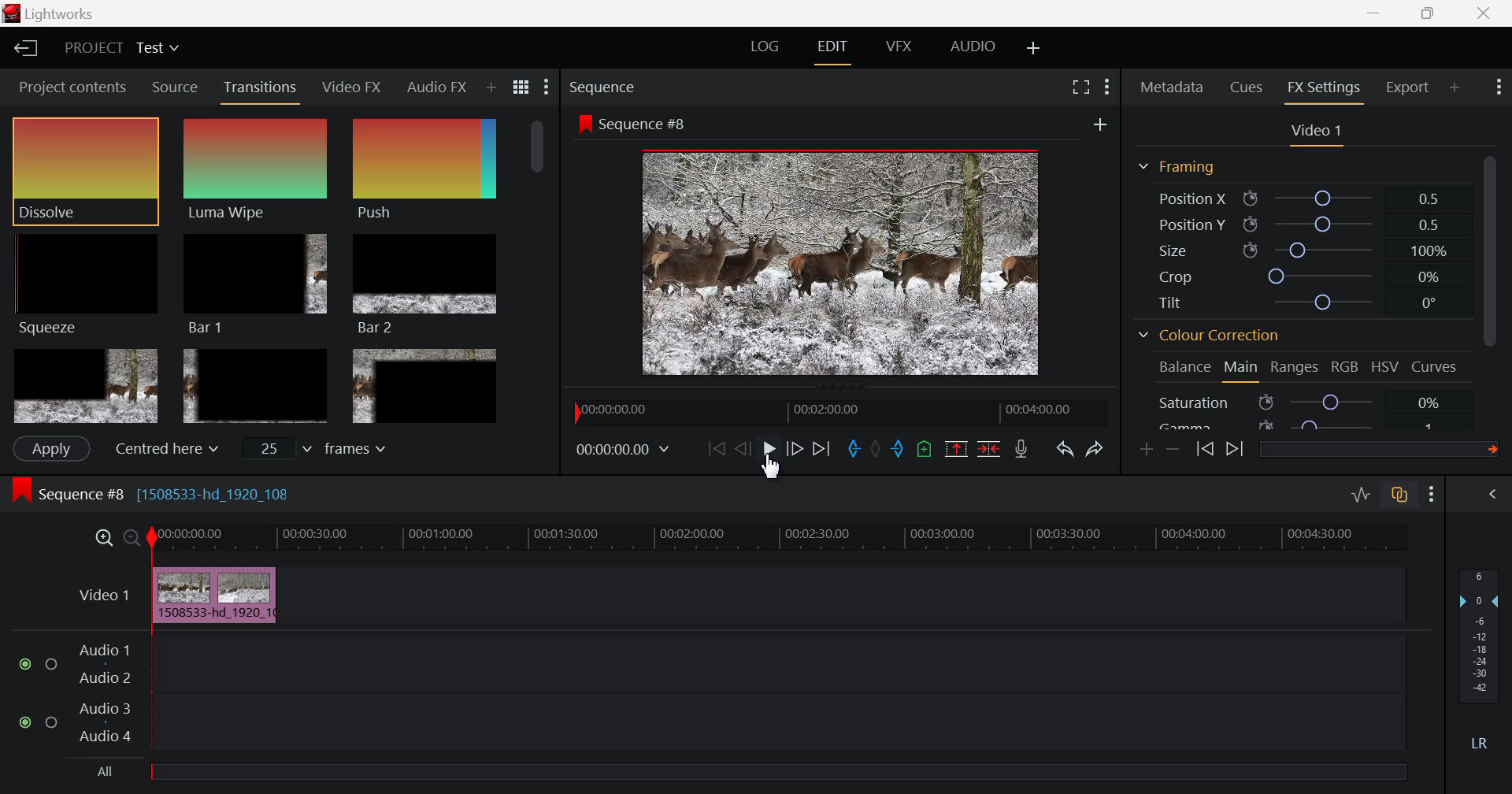  What do you see at coordinates (765, 49) in the screenshot?
I see `LOG` at bounding box center [765, 49].